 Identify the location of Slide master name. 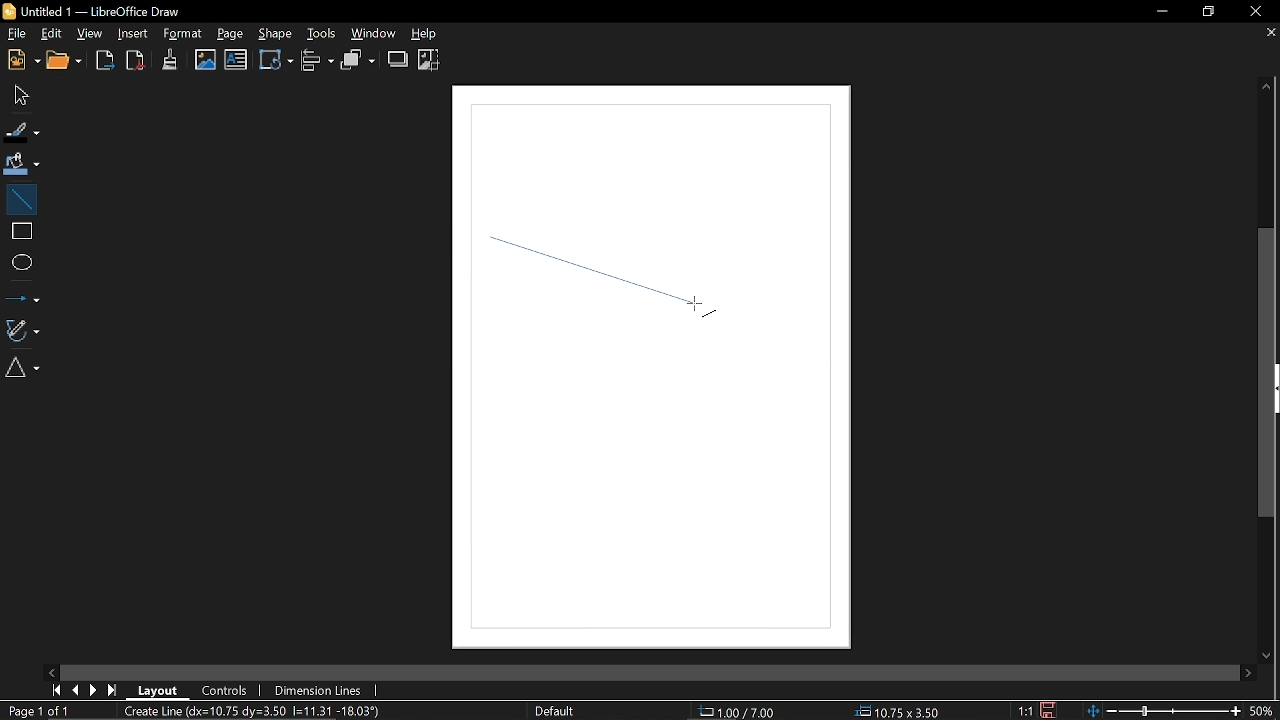
(572, 710).